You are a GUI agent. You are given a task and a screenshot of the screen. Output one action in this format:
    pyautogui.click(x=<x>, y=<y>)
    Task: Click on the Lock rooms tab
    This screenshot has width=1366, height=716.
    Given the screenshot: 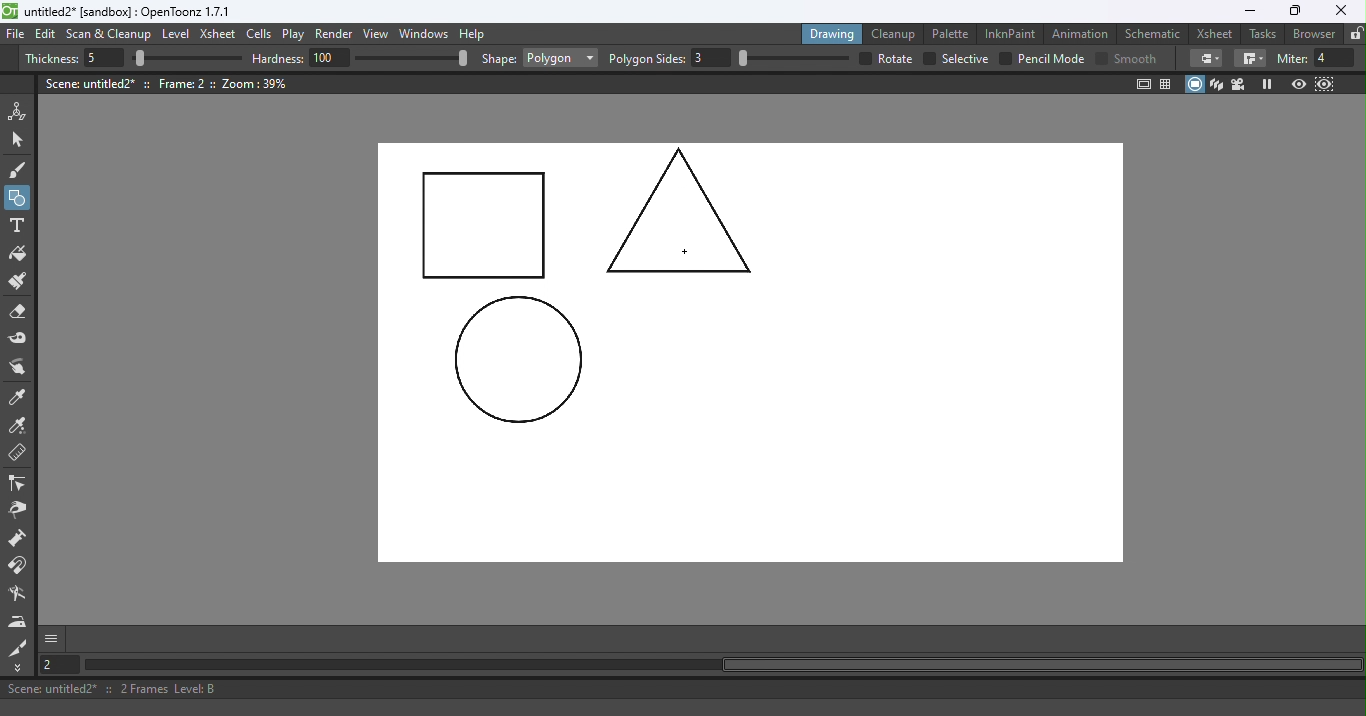 What is the action you would take?
    pyautogui.click(x=1356, y=35)
    